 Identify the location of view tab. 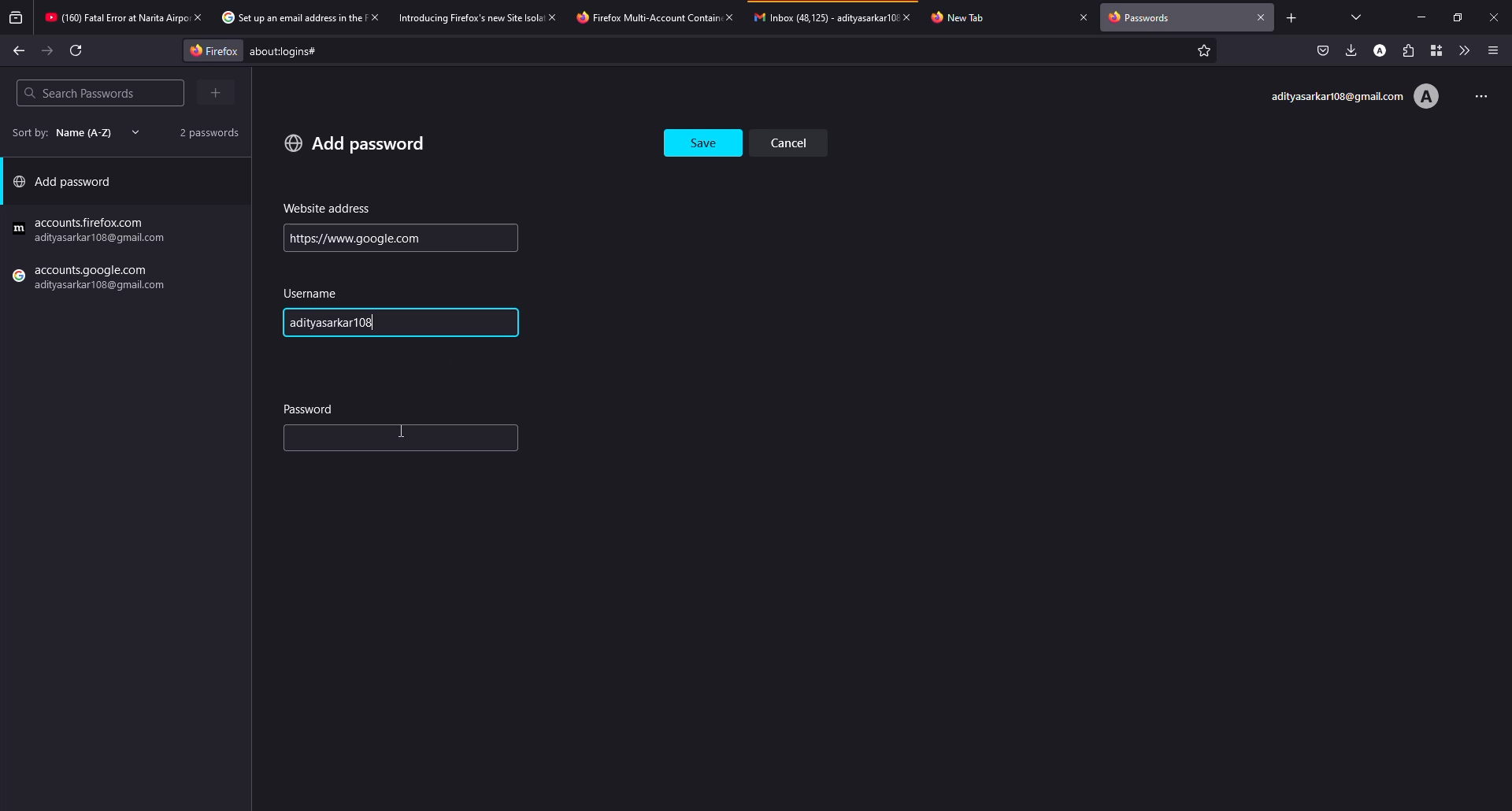
(1357, 17).